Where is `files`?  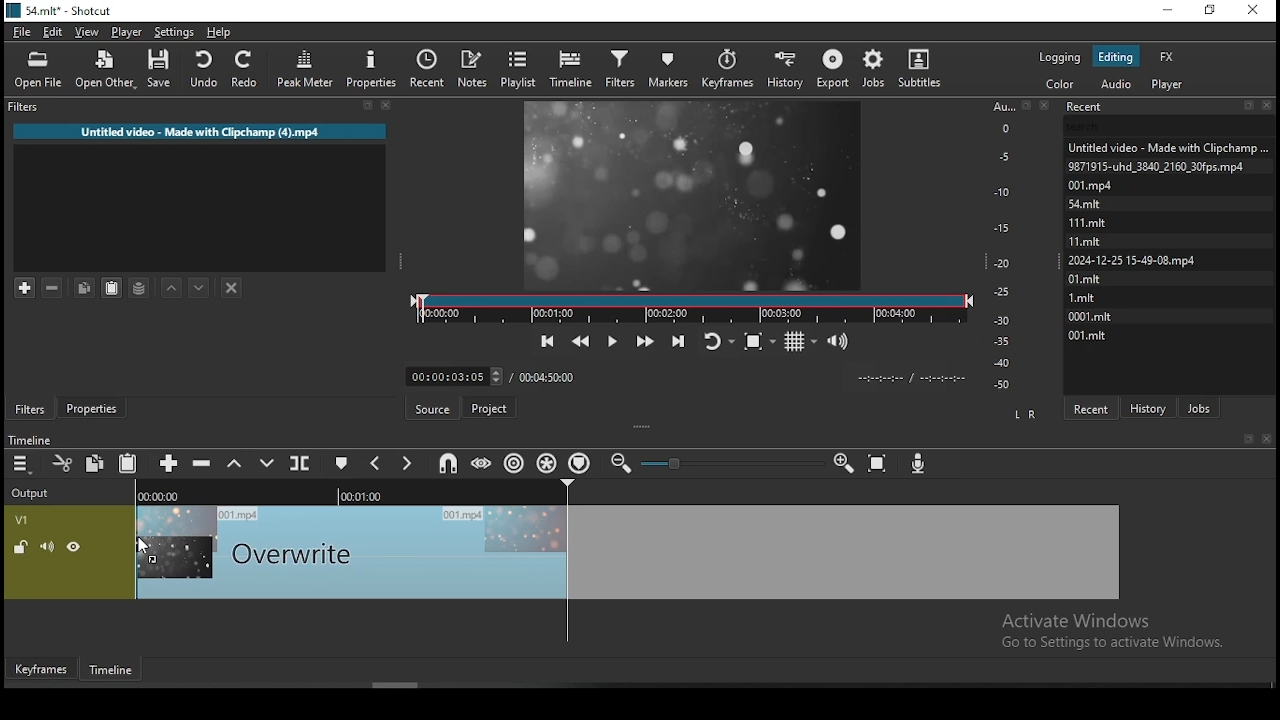
files is located at coordinates (1089, 317).